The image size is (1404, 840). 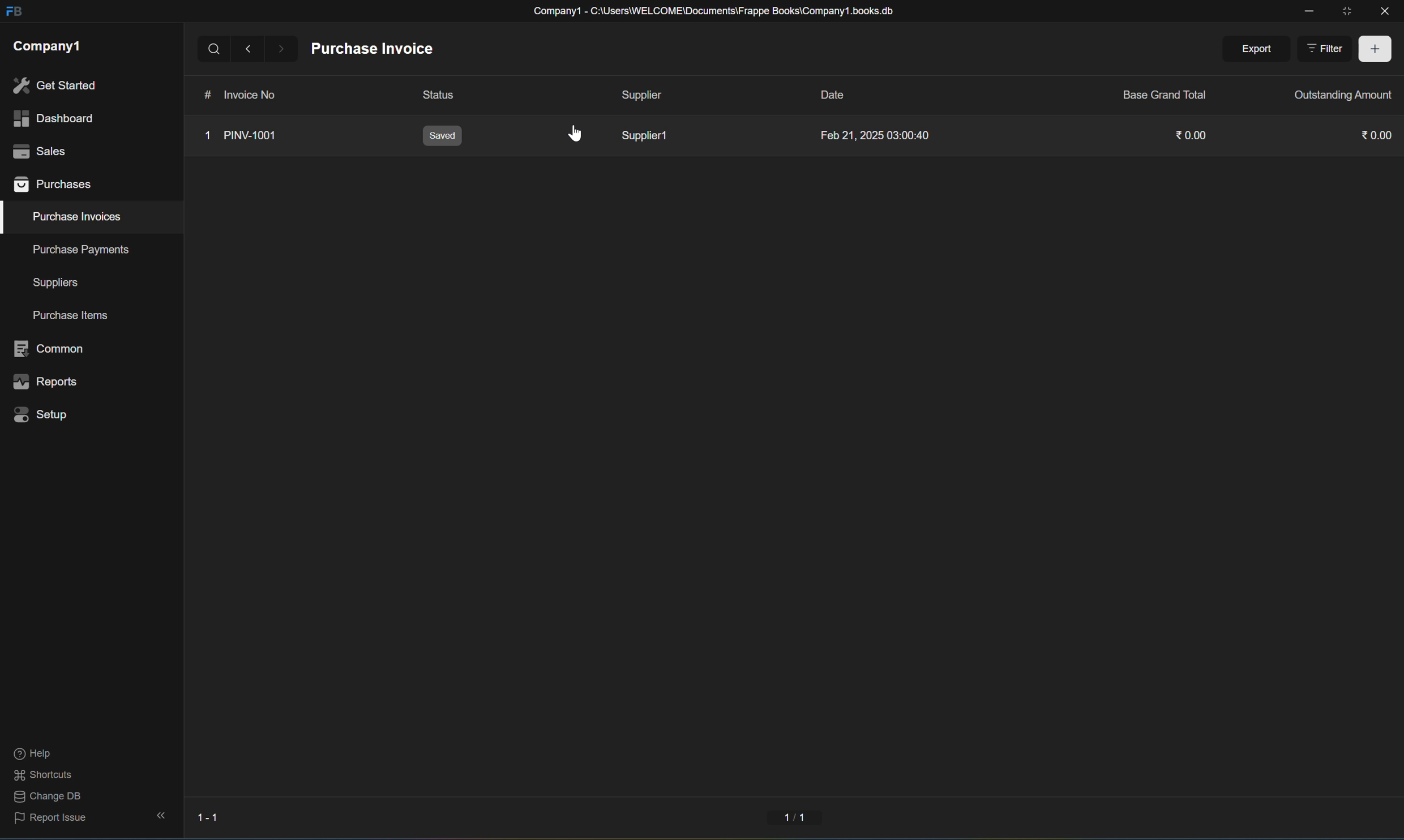 I want to click on dashboard, so click(x=52, y=119).